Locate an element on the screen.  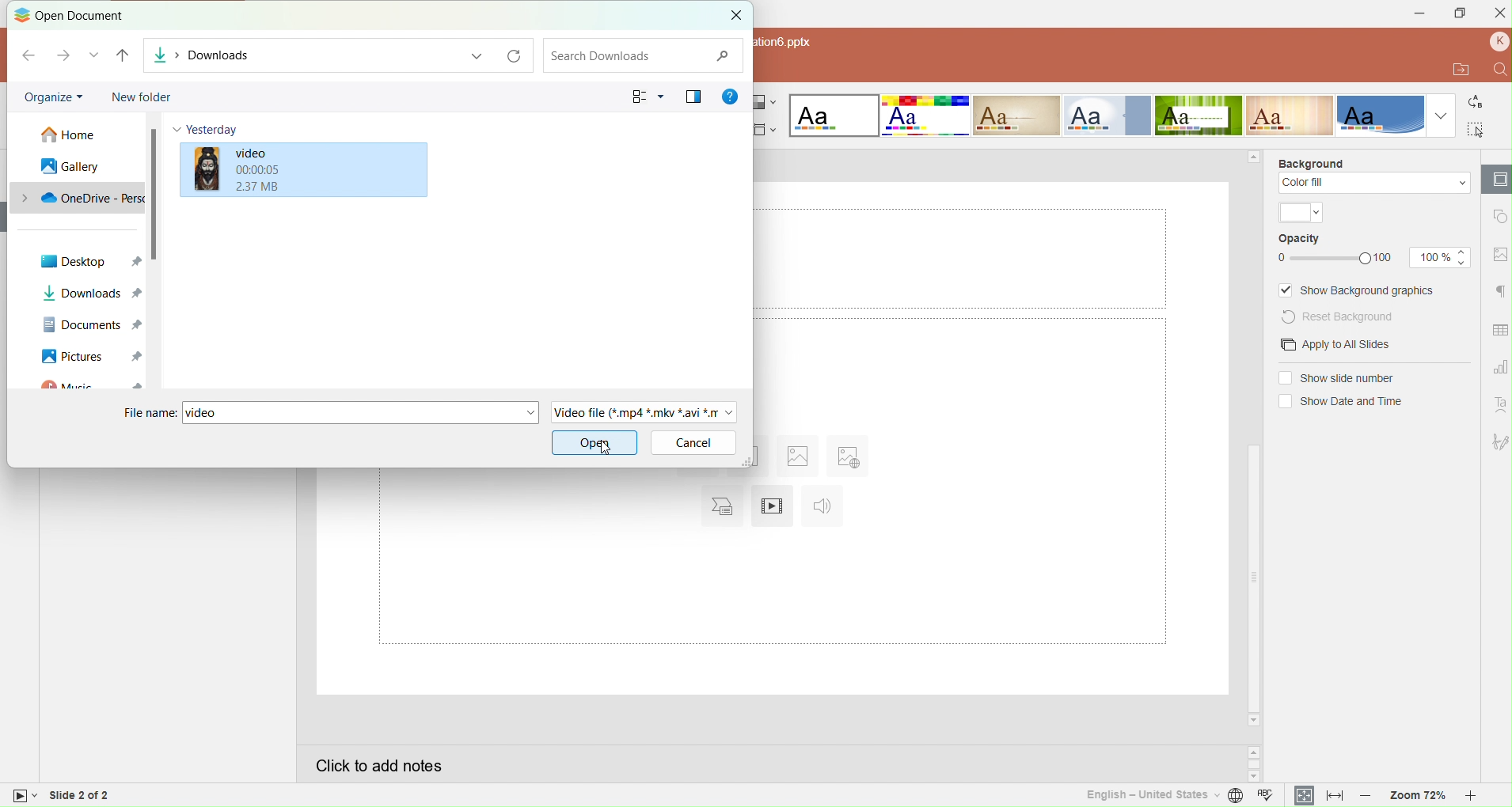
Office is located at coordinates (1380, 116).